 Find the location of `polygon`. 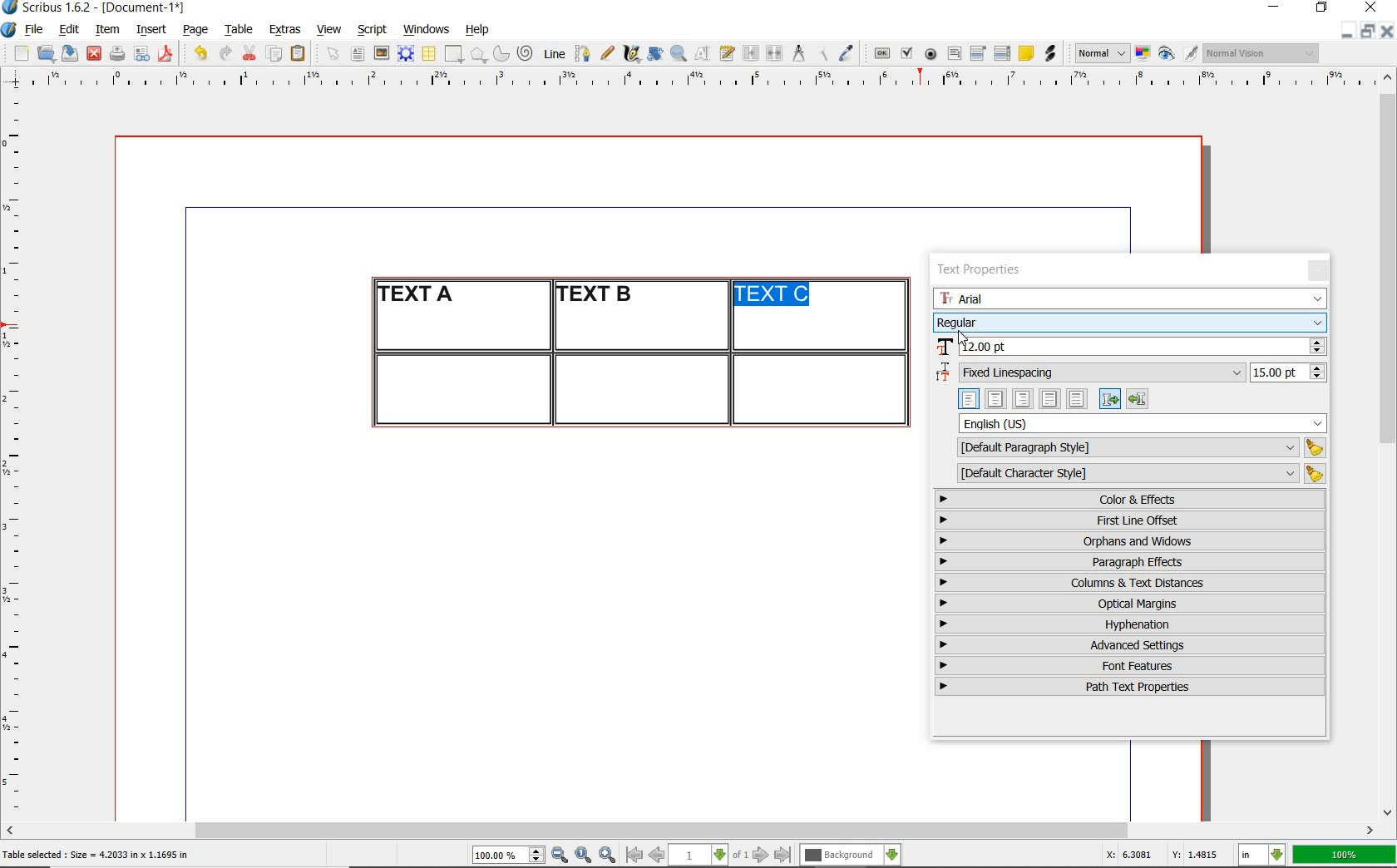

polygon is located at coordinates (478, 54).